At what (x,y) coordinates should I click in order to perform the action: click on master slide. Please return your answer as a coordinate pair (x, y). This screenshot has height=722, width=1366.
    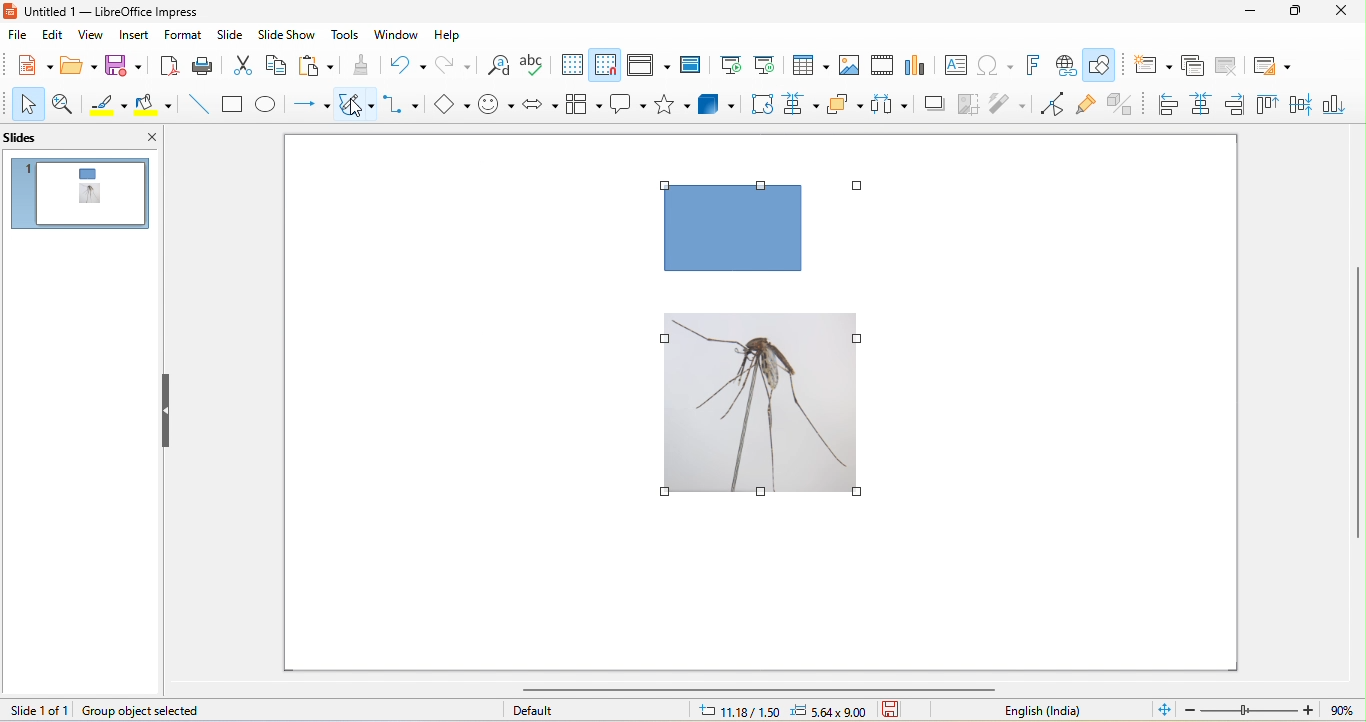
    Looking at the image, I should click on (695, 64).